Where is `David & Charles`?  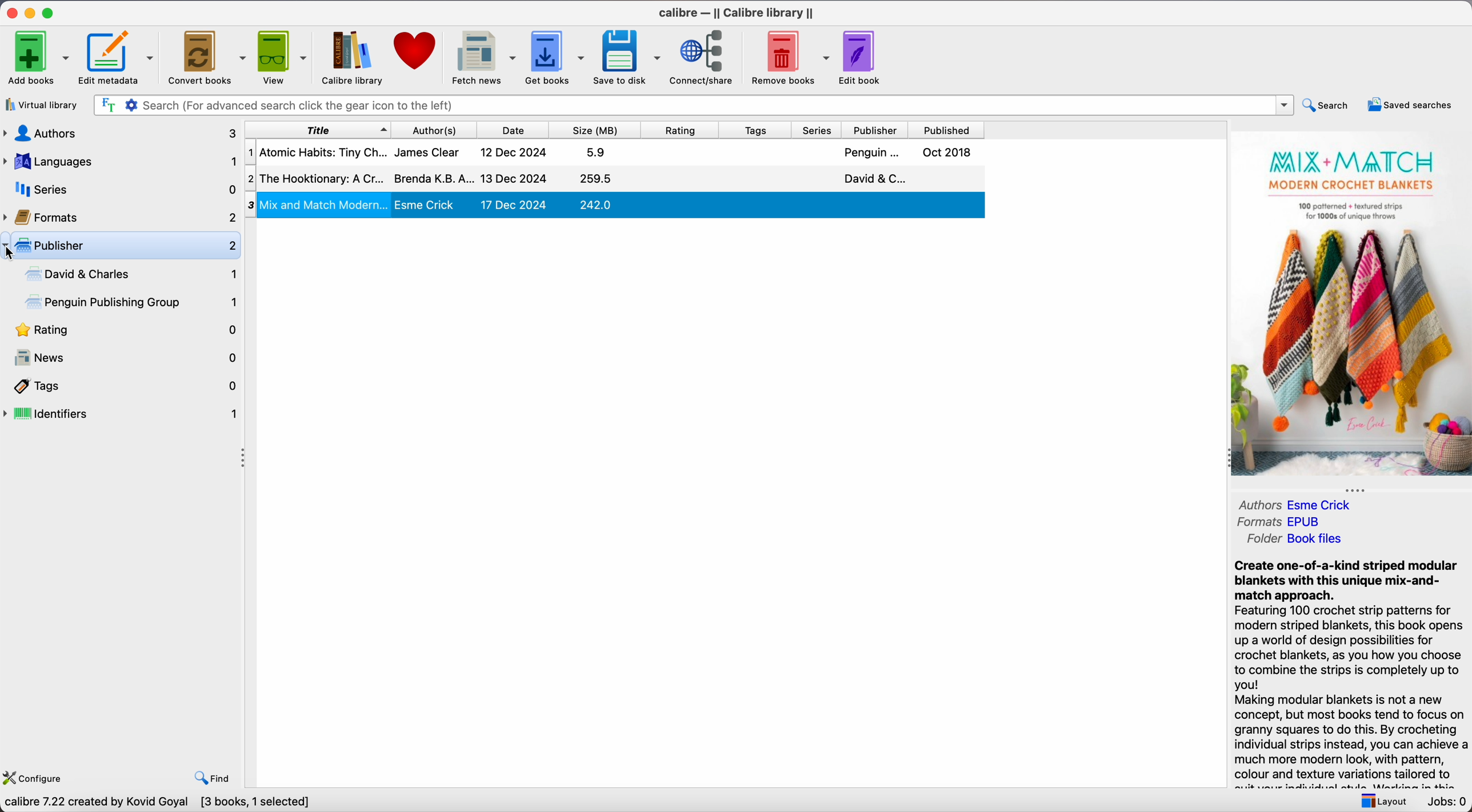 David & Charles is located at coordinates (129, 274).